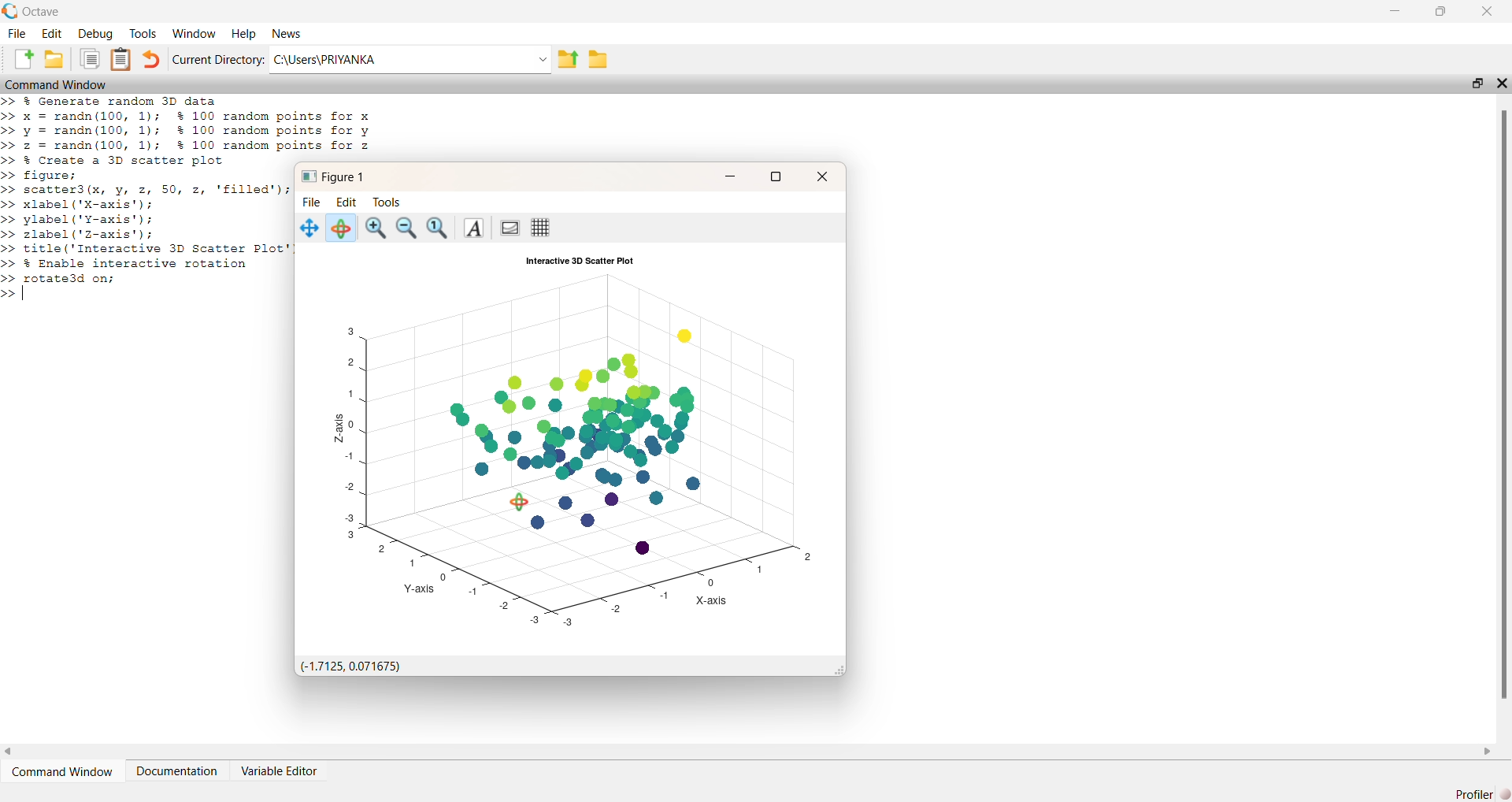 Image resolution: width=1512 pixels, height=802 pixels. I want to click on Help, so click(245, 34).